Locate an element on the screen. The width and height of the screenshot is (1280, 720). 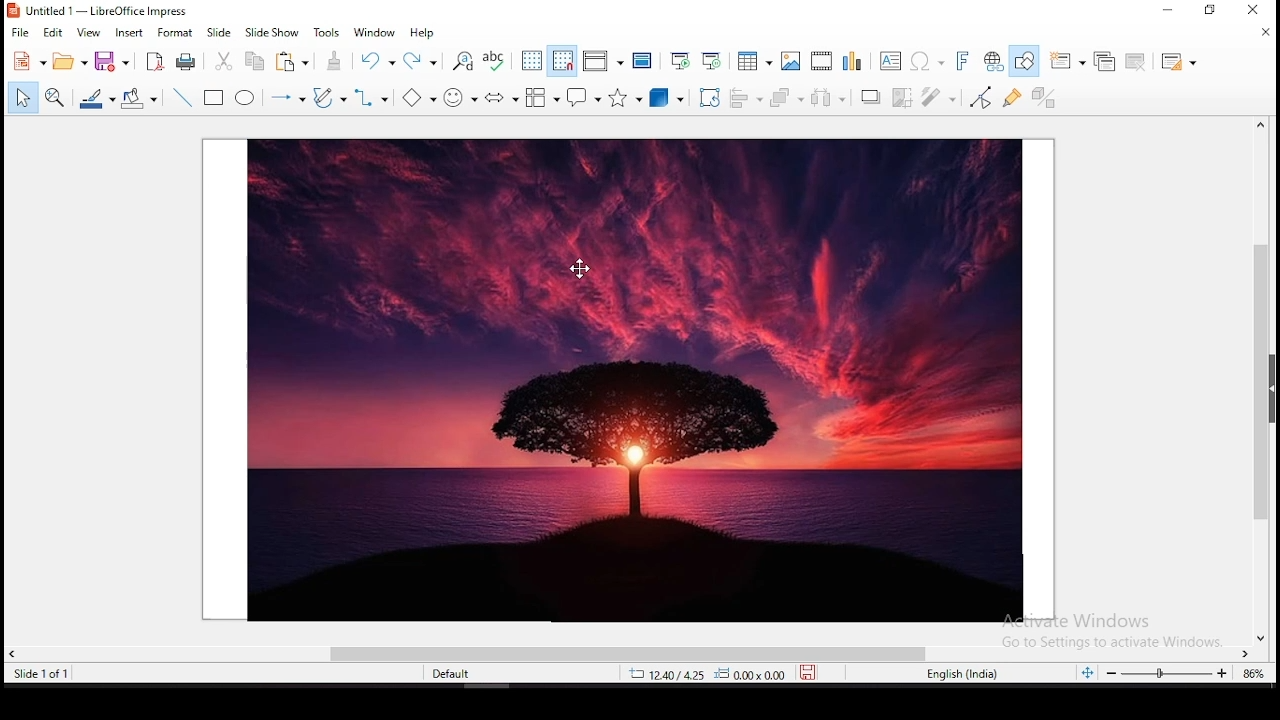
minimize is located at coordinates (1172, 10).